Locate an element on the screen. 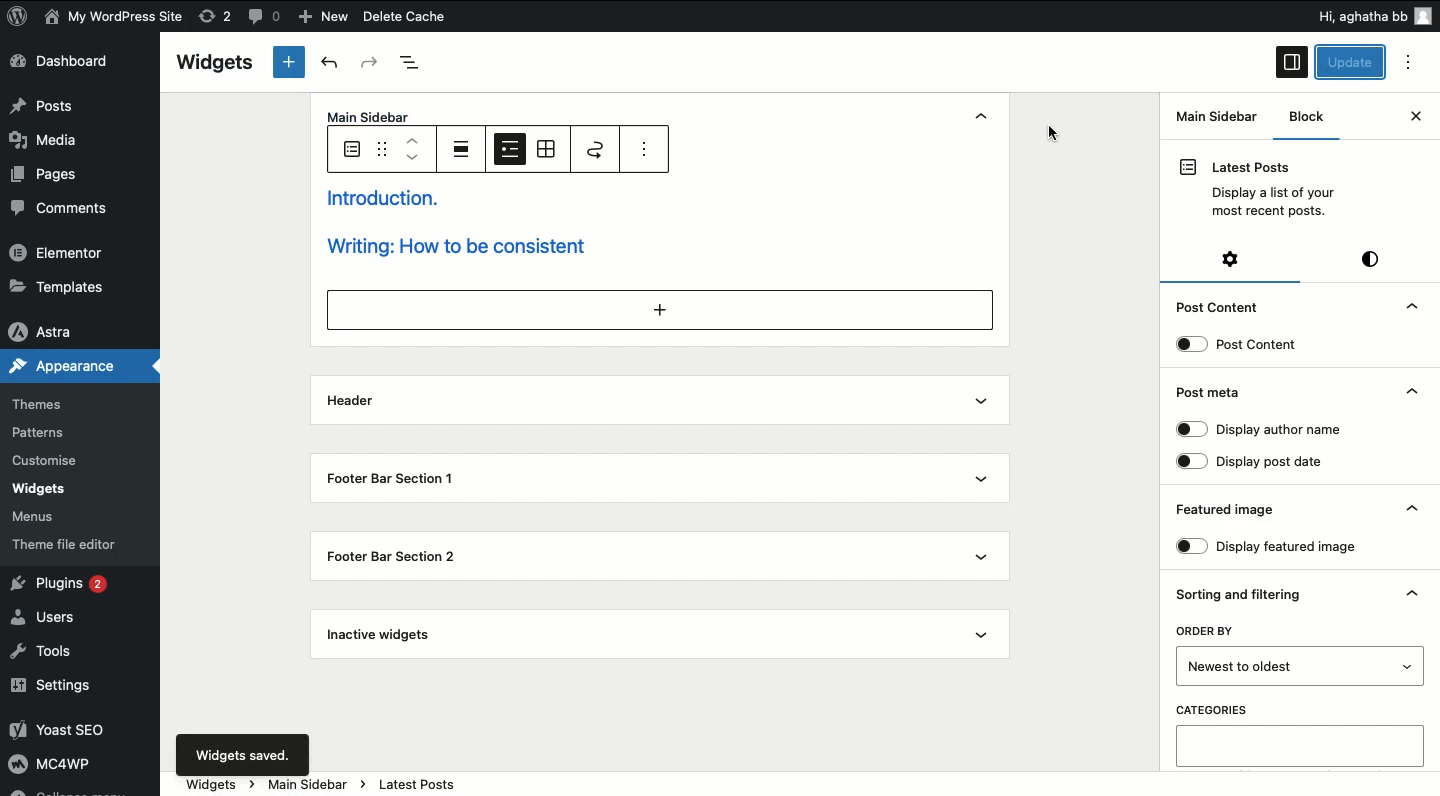 This screenshot has height=796, width=1440. Latest pots is located at coordinates (350, 151).